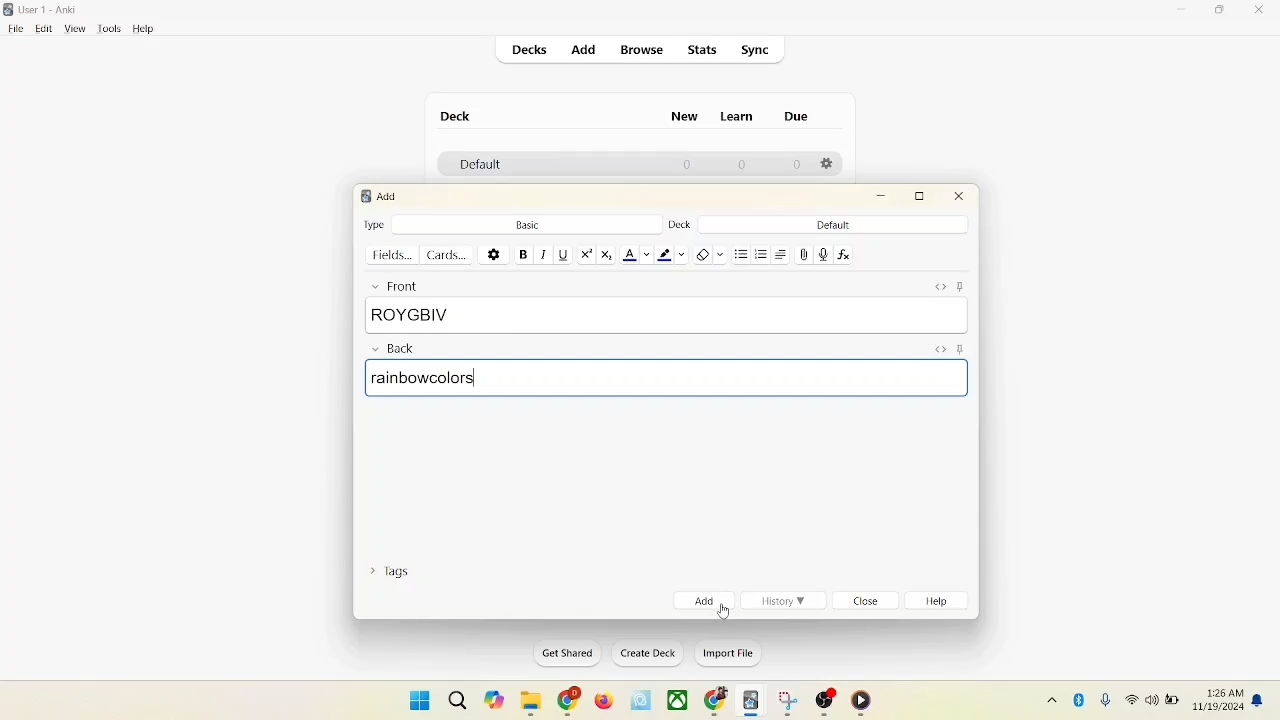  What do you see at coordinates (522, 253) in the screenshot?
I see `bold` at bounding box center [522, 253].